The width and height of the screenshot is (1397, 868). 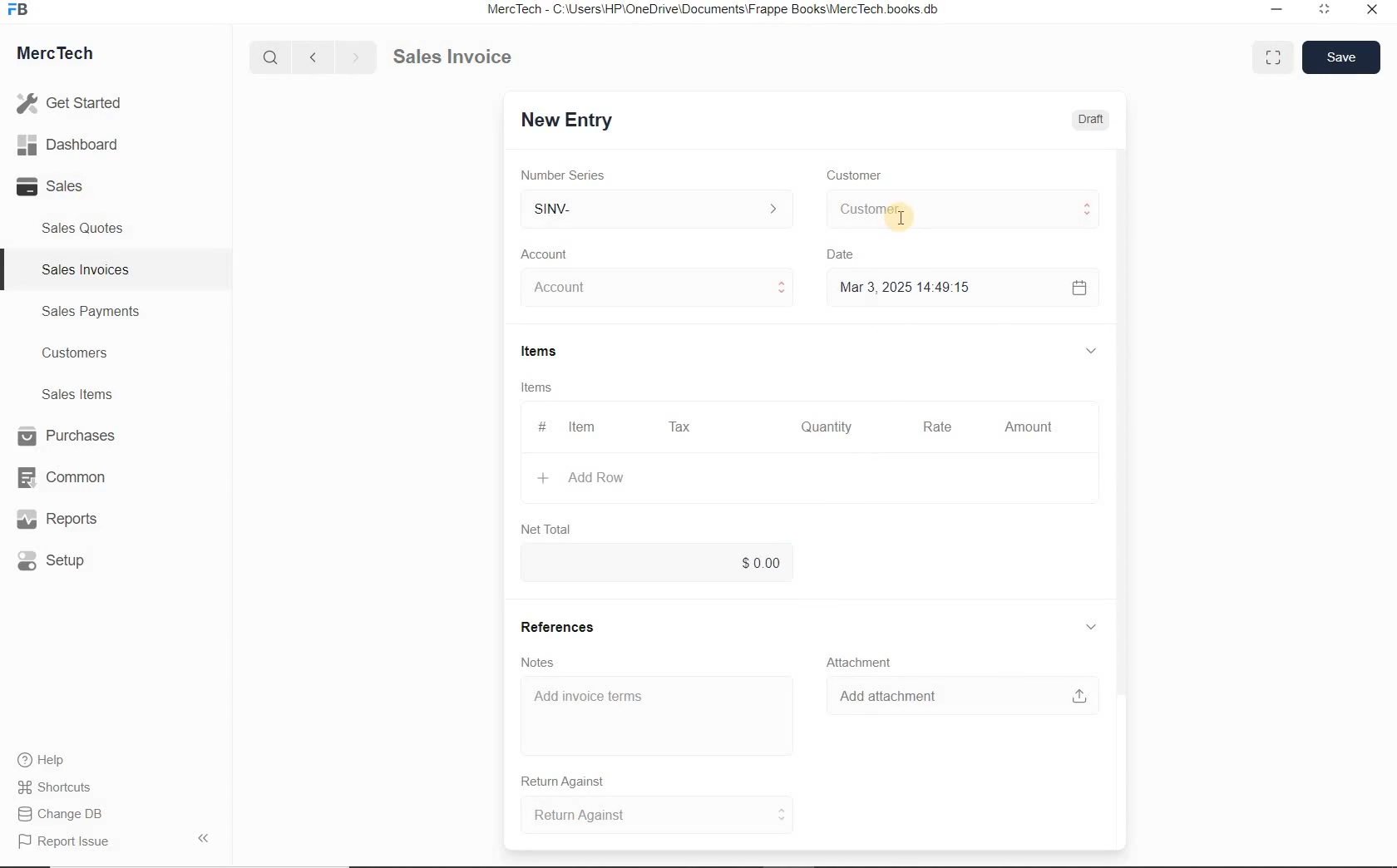 What do you see at coordinates (935, 428) in the screenshot?
I see `Rate` at bounding box center [935, 428].